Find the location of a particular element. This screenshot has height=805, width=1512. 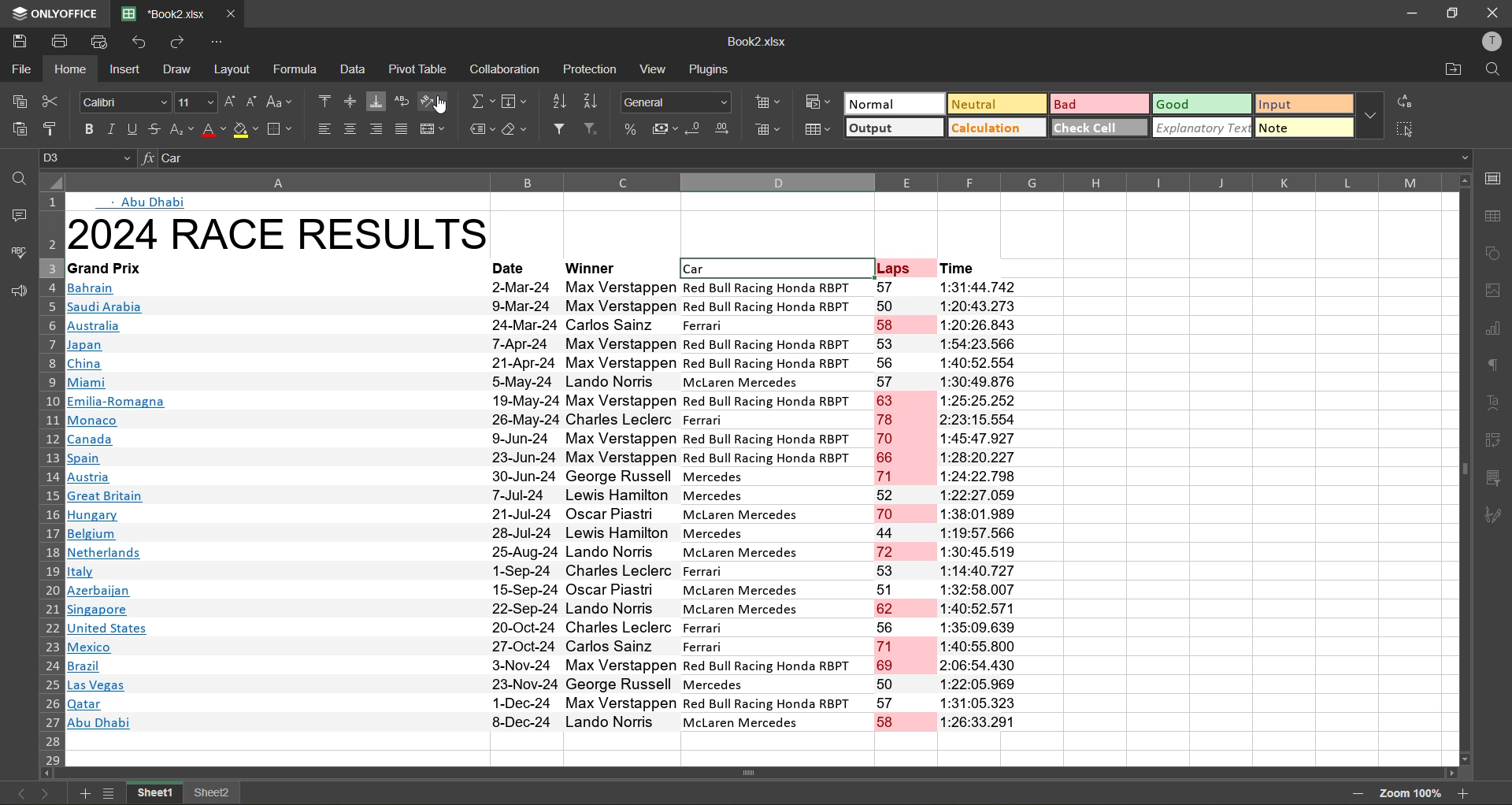

row numbers is located at coordinates (53, 482).